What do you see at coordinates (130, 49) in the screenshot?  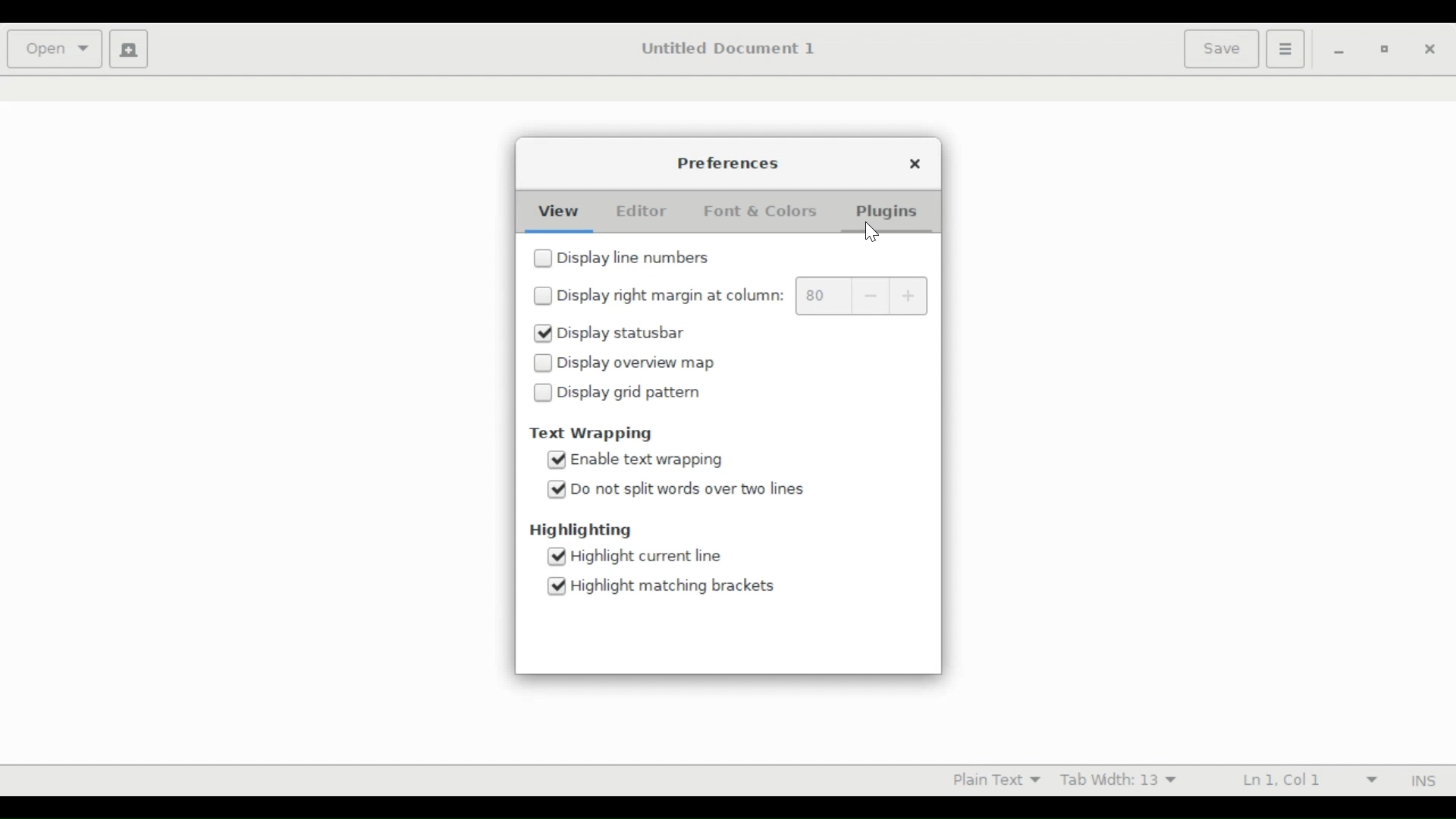 I see `Create new document` at bounding box center [130, 49].